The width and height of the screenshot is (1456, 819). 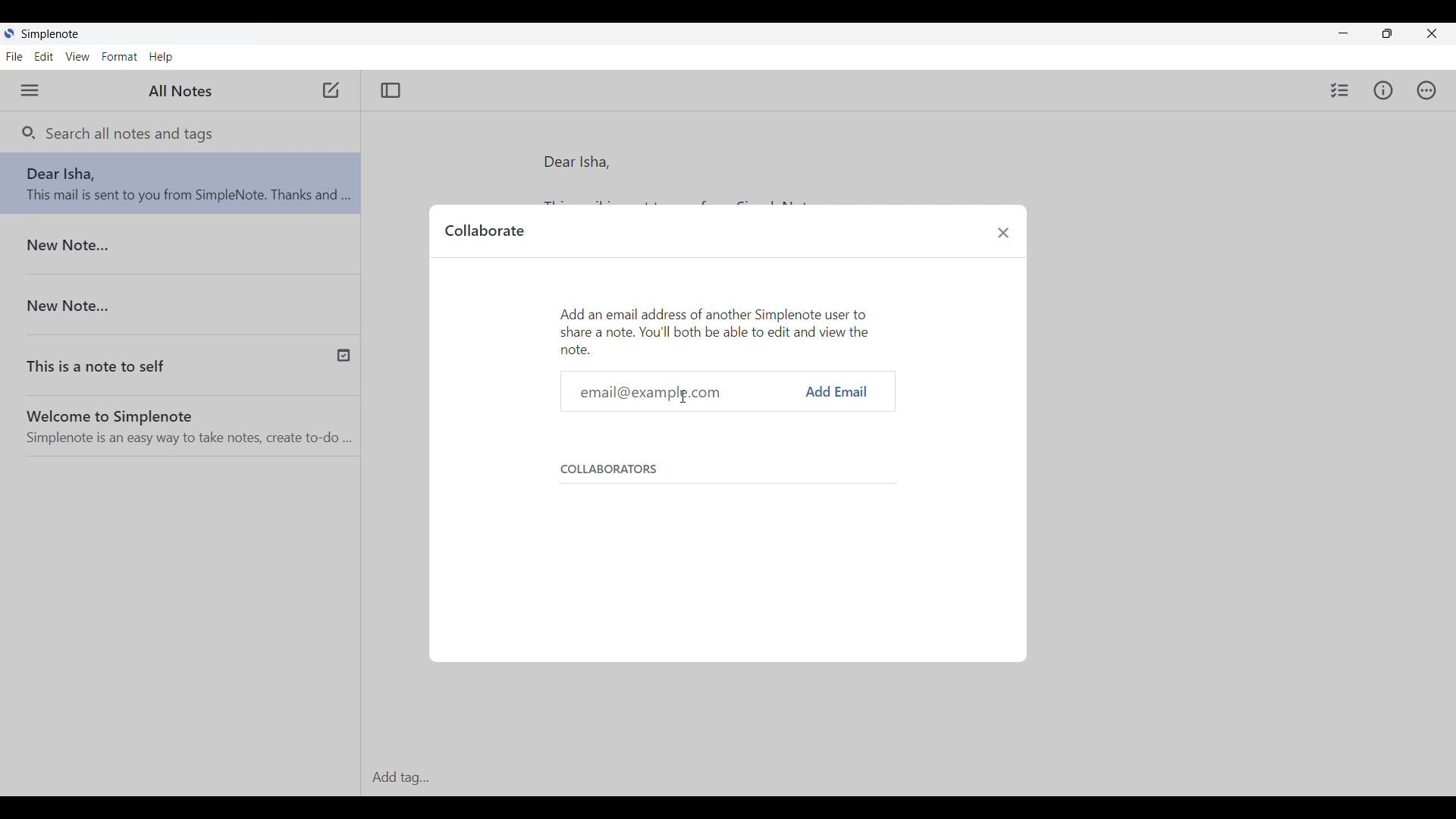 What do you see at coordinates (484, 230) in the screenshot?
I see `Collaborate` at bounding box center [484, 230].